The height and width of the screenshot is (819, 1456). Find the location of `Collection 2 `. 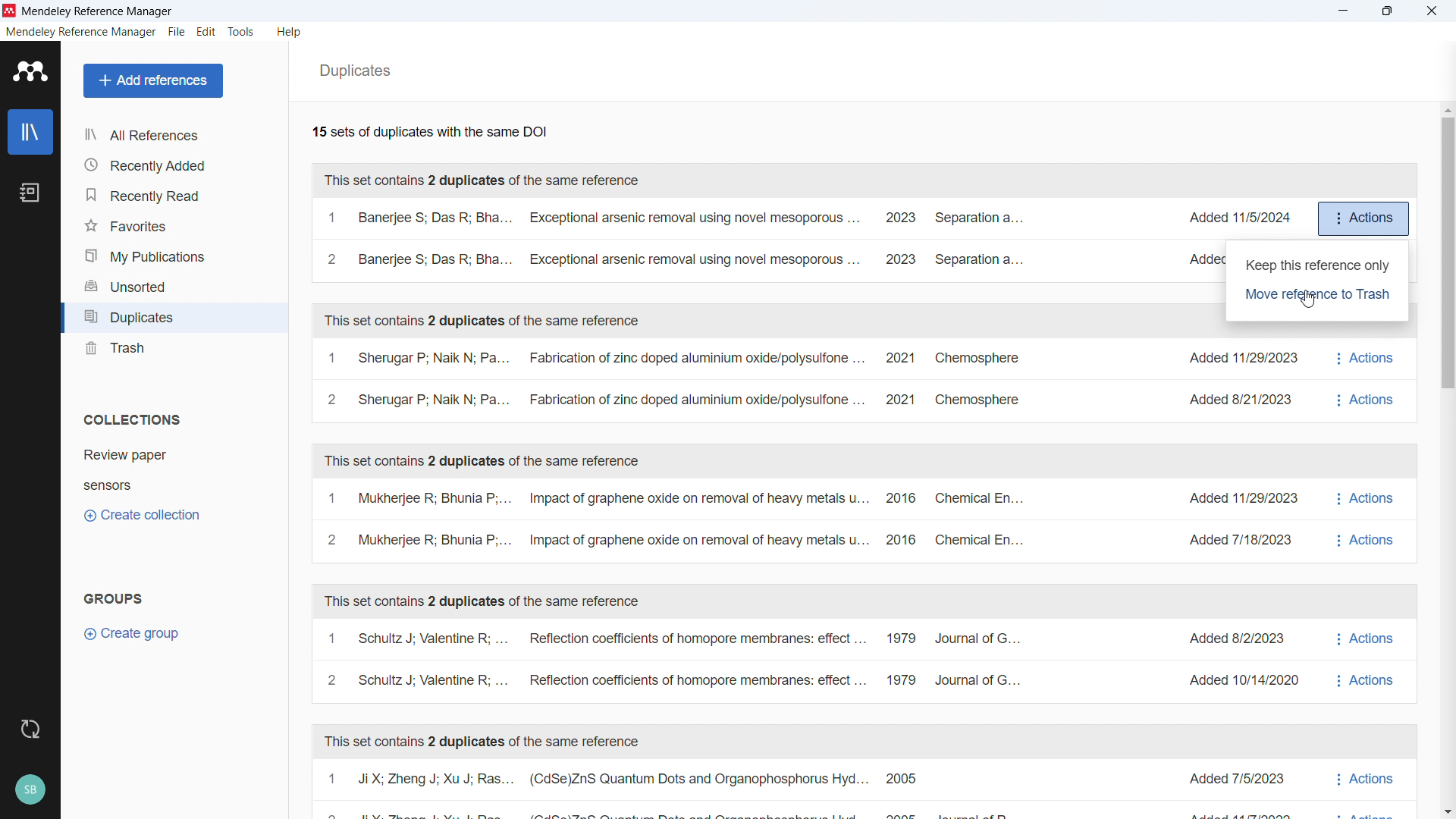

Collection 2  is located at coordinates (168, 485).